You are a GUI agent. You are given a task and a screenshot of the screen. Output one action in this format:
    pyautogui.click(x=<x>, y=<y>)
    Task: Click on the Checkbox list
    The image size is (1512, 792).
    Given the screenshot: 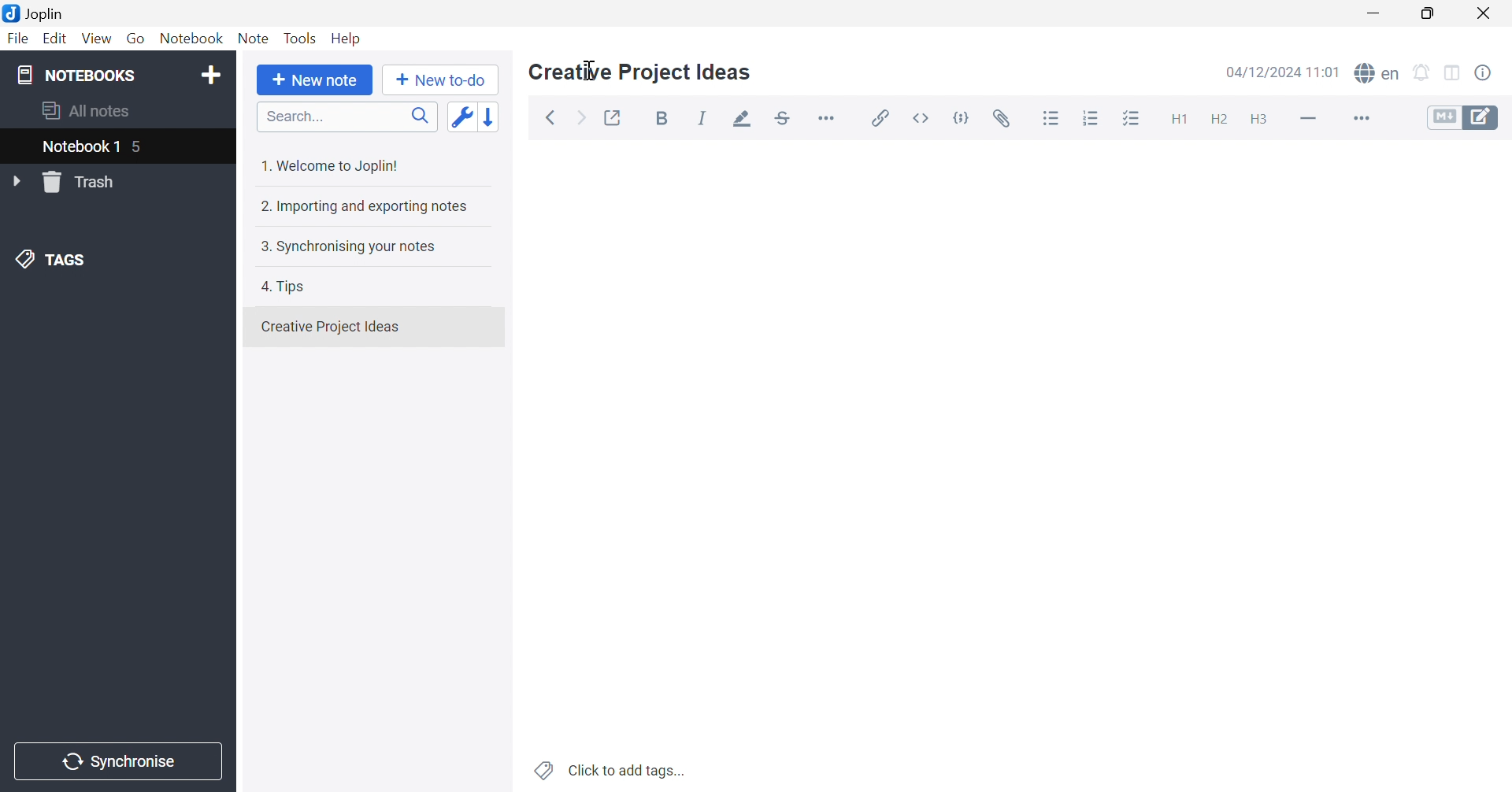 What is the action you would take?
    pyautogui.click(x=1130, y=122)
    